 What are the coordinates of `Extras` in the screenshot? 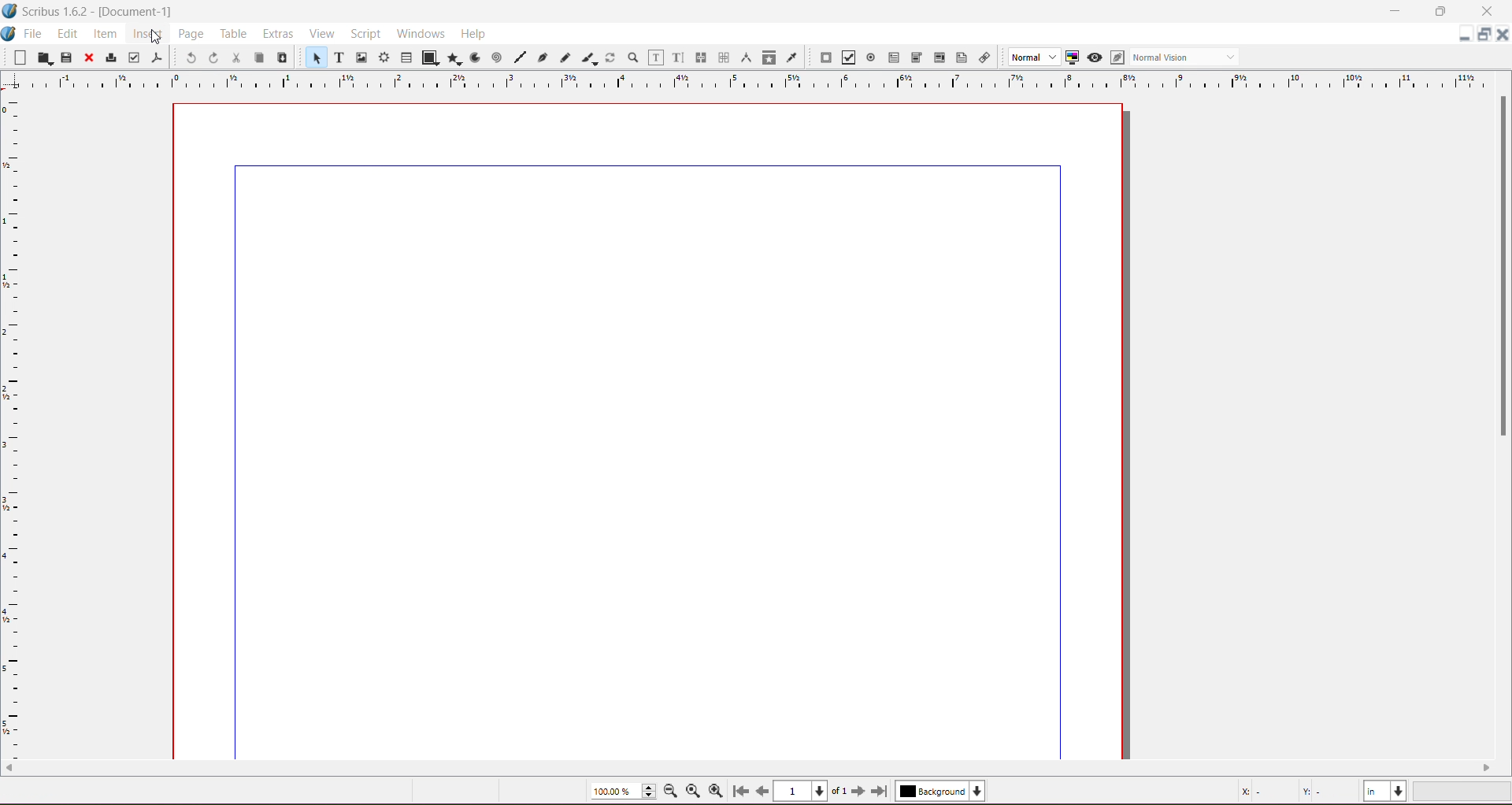 It's located at (280, 33).